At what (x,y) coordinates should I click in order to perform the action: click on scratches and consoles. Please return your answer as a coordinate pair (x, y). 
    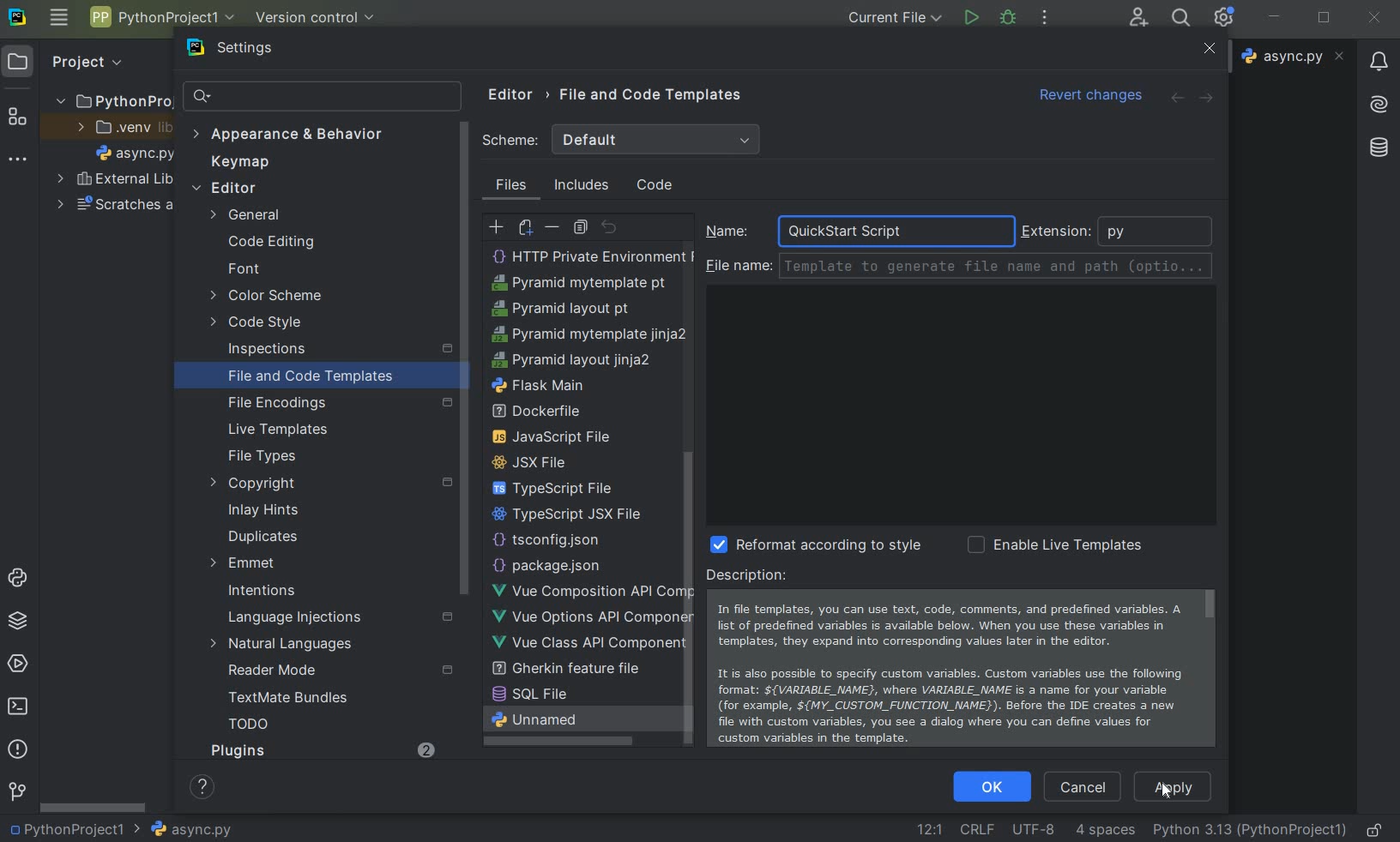
    Looking at the image, I should click on (125, 206).